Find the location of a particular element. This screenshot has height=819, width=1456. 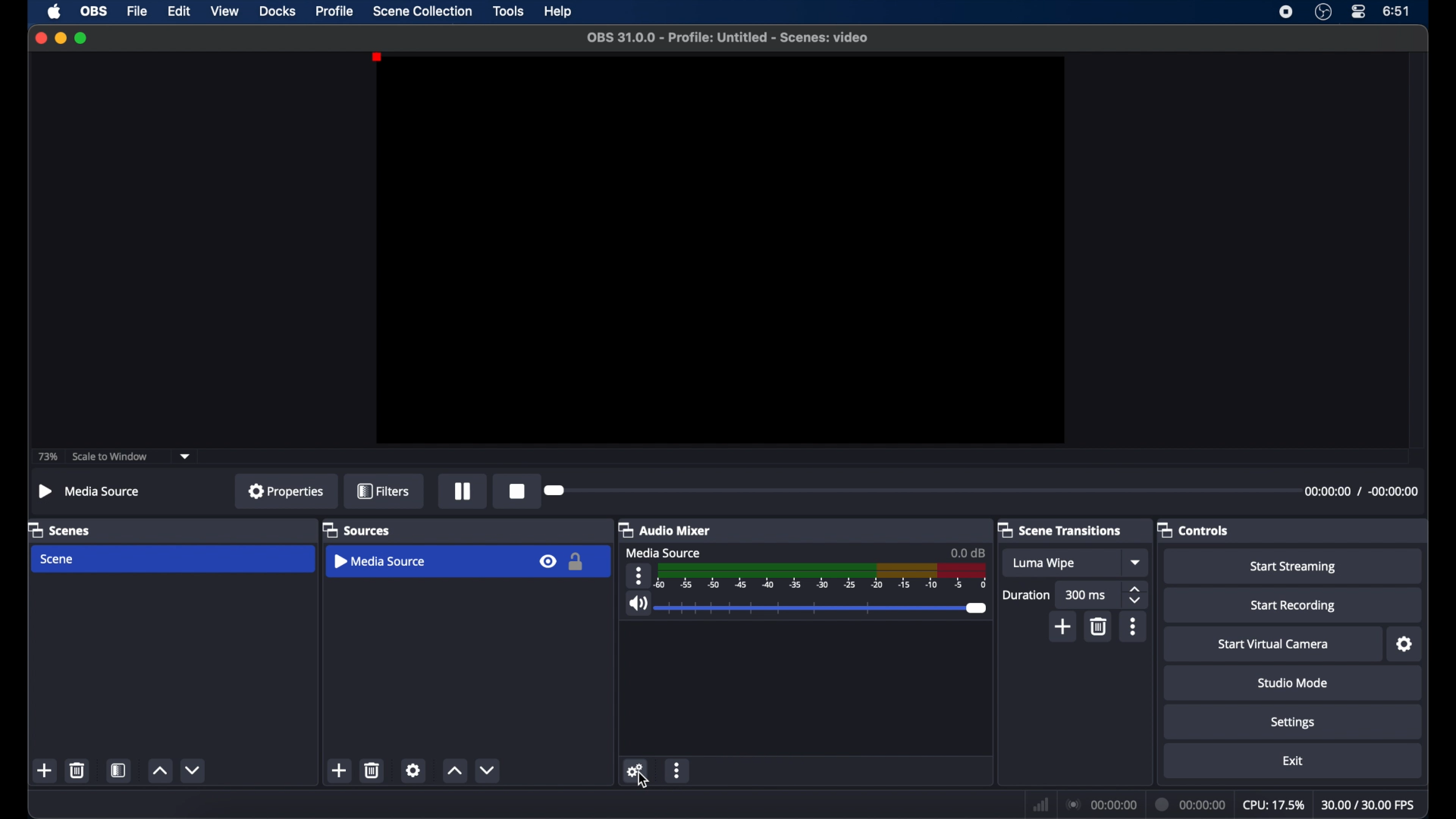

add is located at coordinates (1063, 626).